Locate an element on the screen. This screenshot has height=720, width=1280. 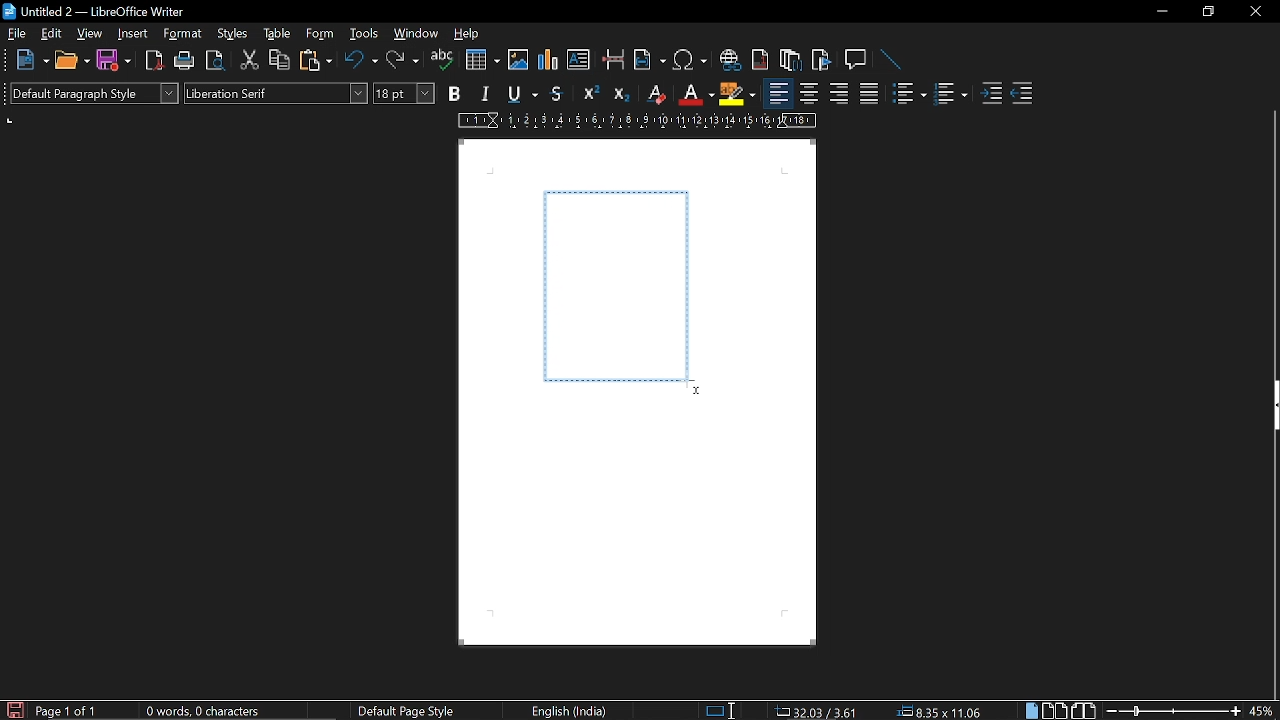
copy is located at coordinates (278, 61).